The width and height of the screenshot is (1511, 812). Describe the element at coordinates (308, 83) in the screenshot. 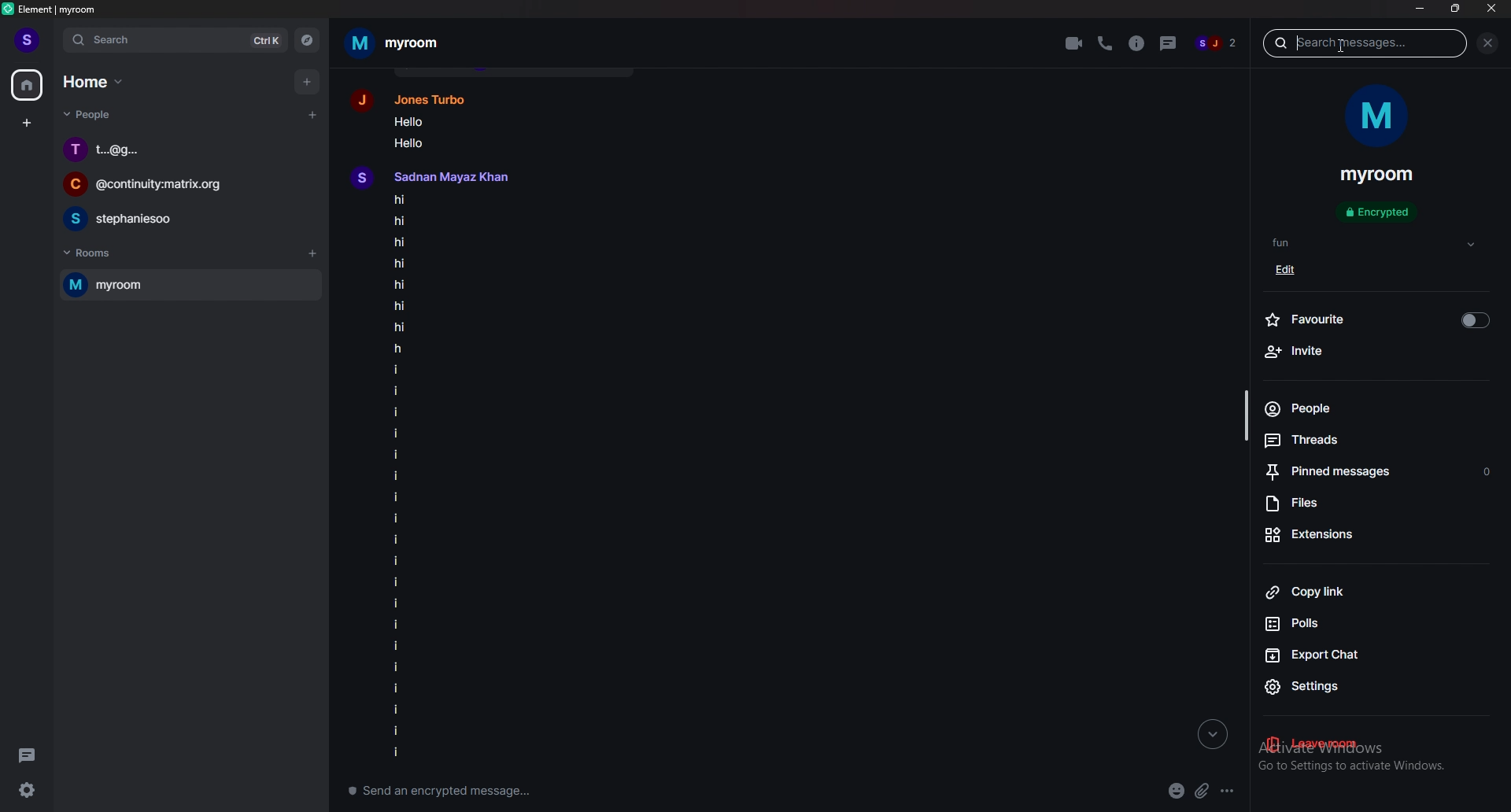

I see `add` at that location.